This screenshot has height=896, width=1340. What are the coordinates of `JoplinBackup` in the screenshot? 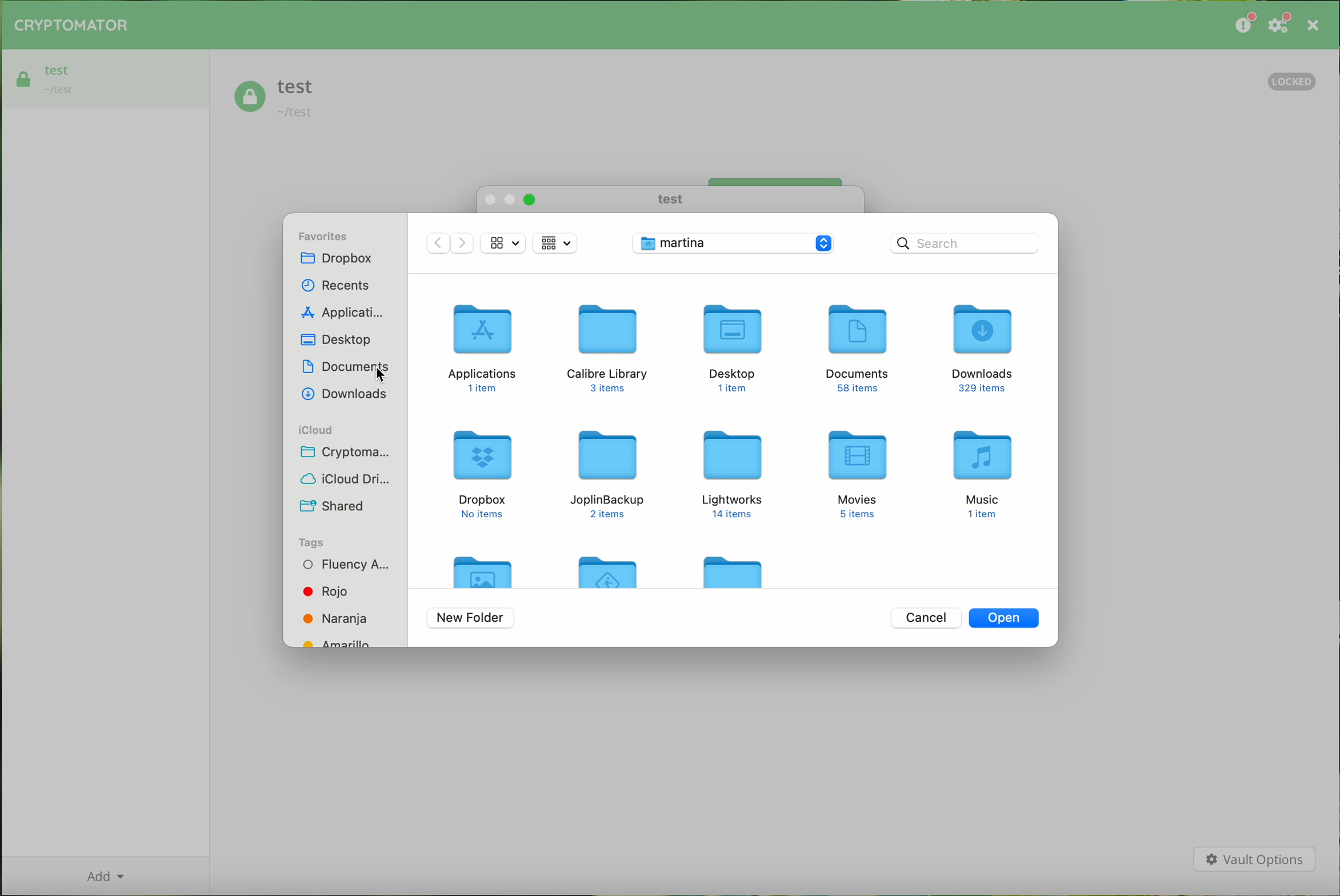 It's located at (607, 473).